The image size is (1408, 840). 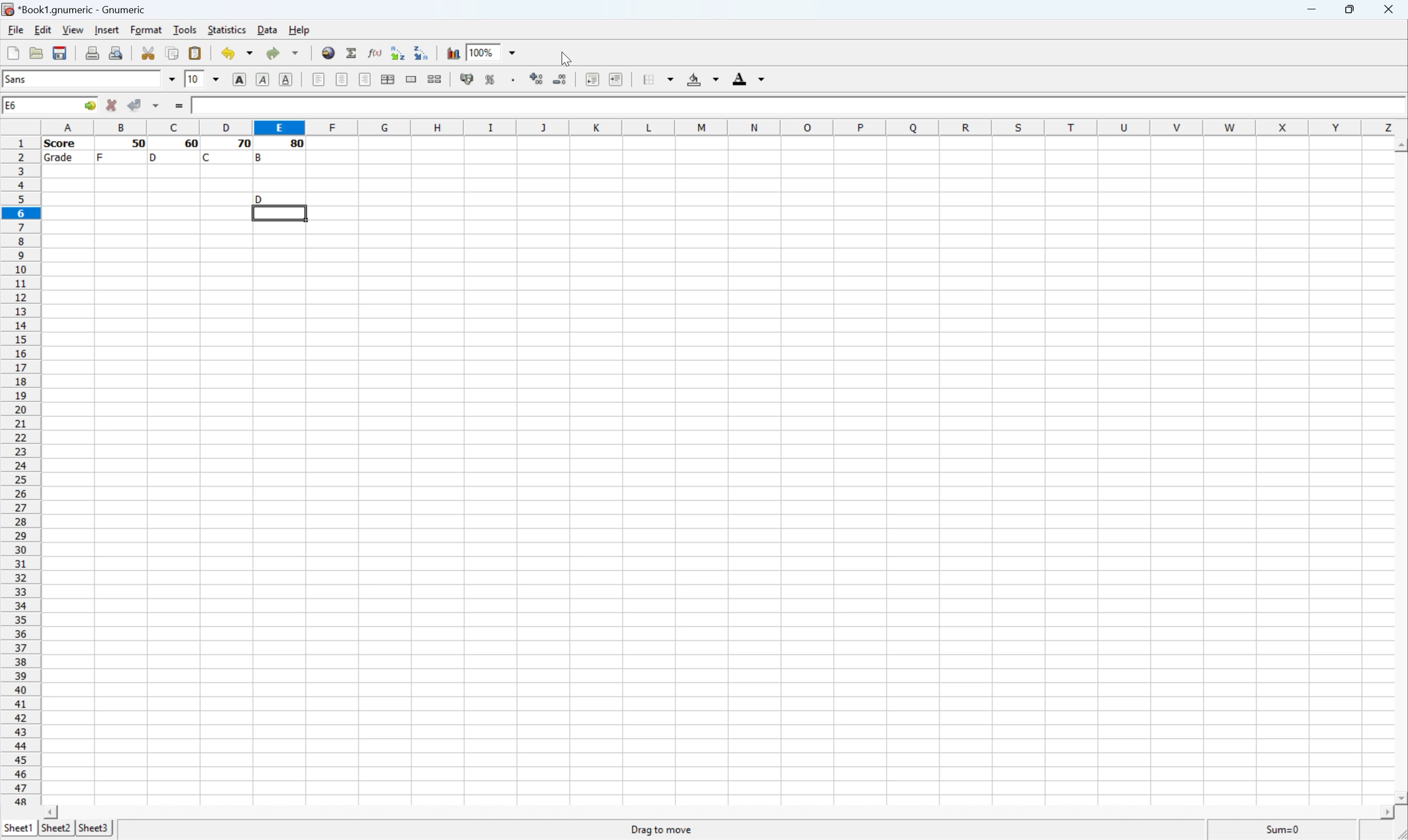 What do you see at coordinates (720, 127) in the screenshot?
I see `Column names` at bounding box center [720, 127].